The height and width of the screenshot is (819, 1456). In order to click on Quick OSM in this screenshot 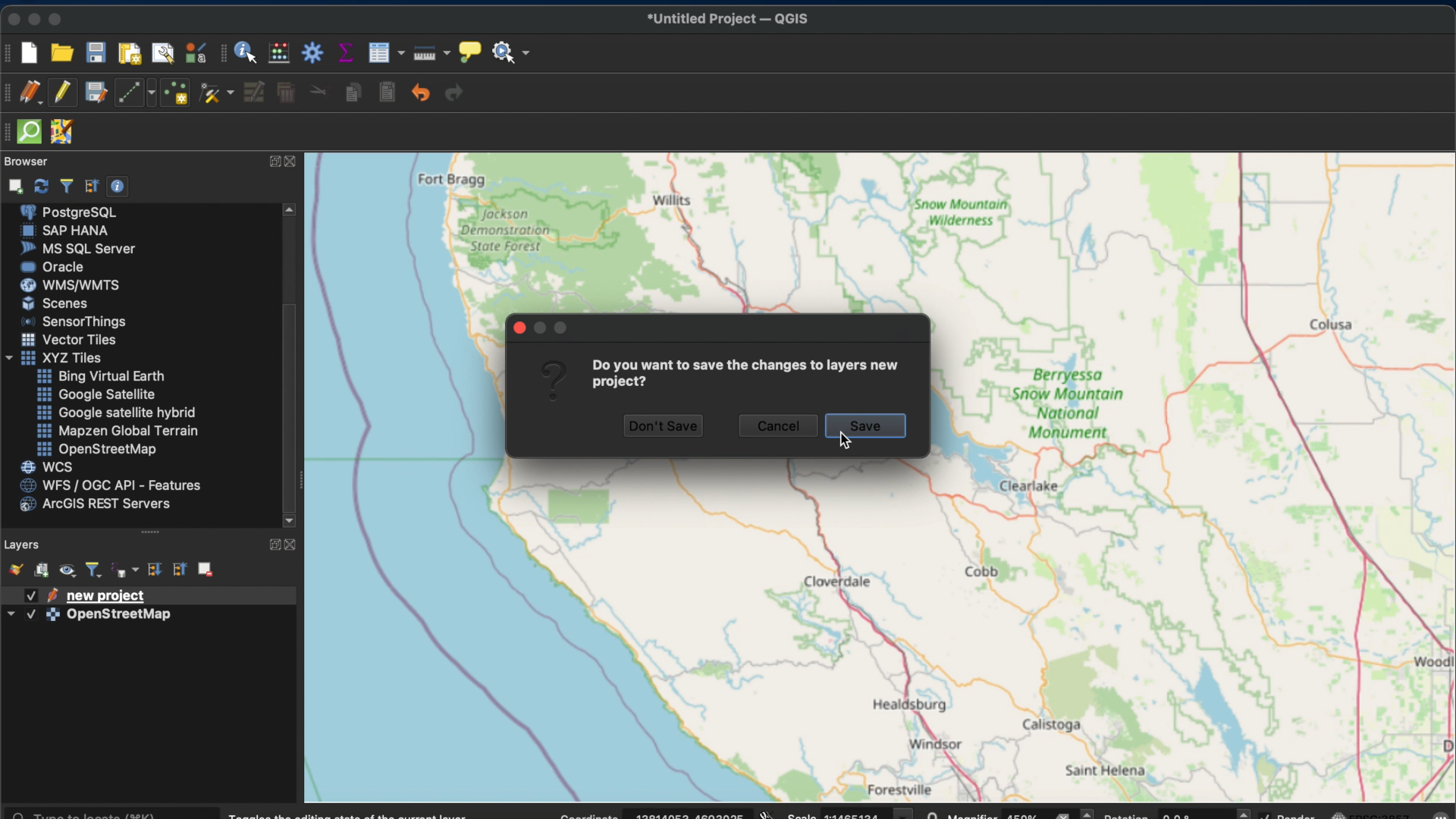, I will do `click(30, 132)`.